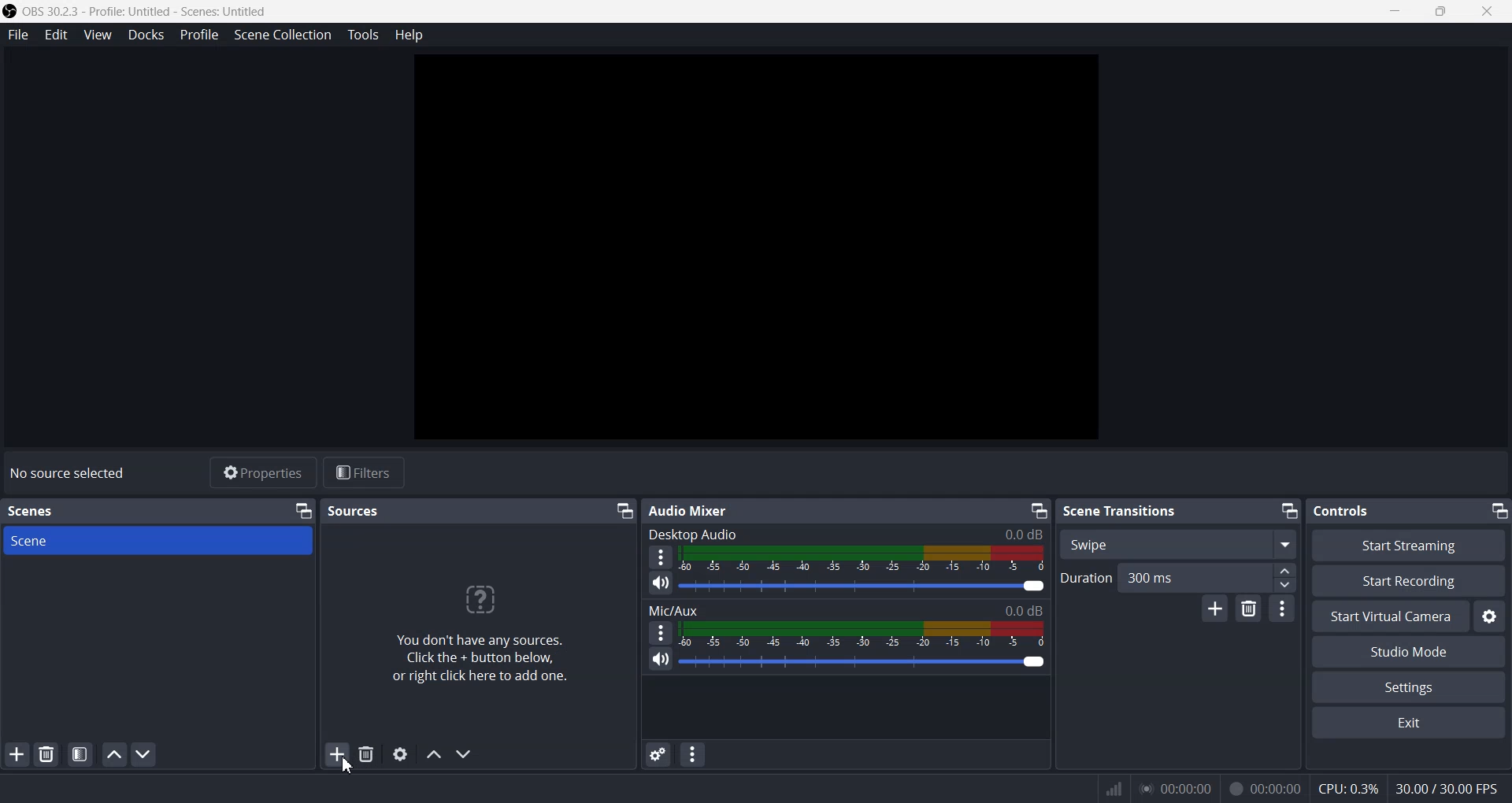 This screenshot has width=1512, height=803. Describe the element at coordinates (1179, 543) in the screenshot. I see `Swipe` at that location.